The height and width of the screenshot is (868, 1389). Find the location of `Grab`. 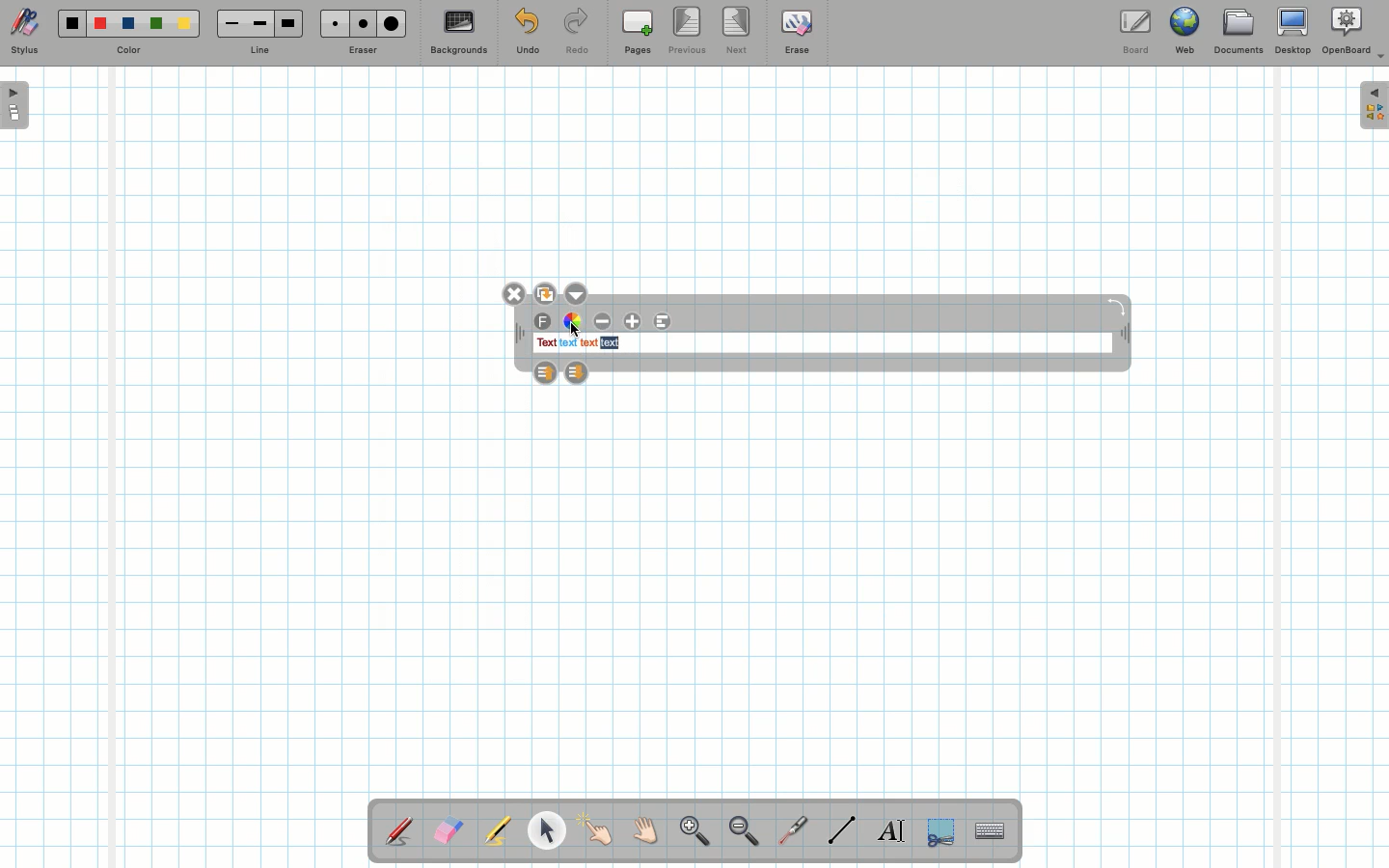

Grab is located at coordinates (646, 833).